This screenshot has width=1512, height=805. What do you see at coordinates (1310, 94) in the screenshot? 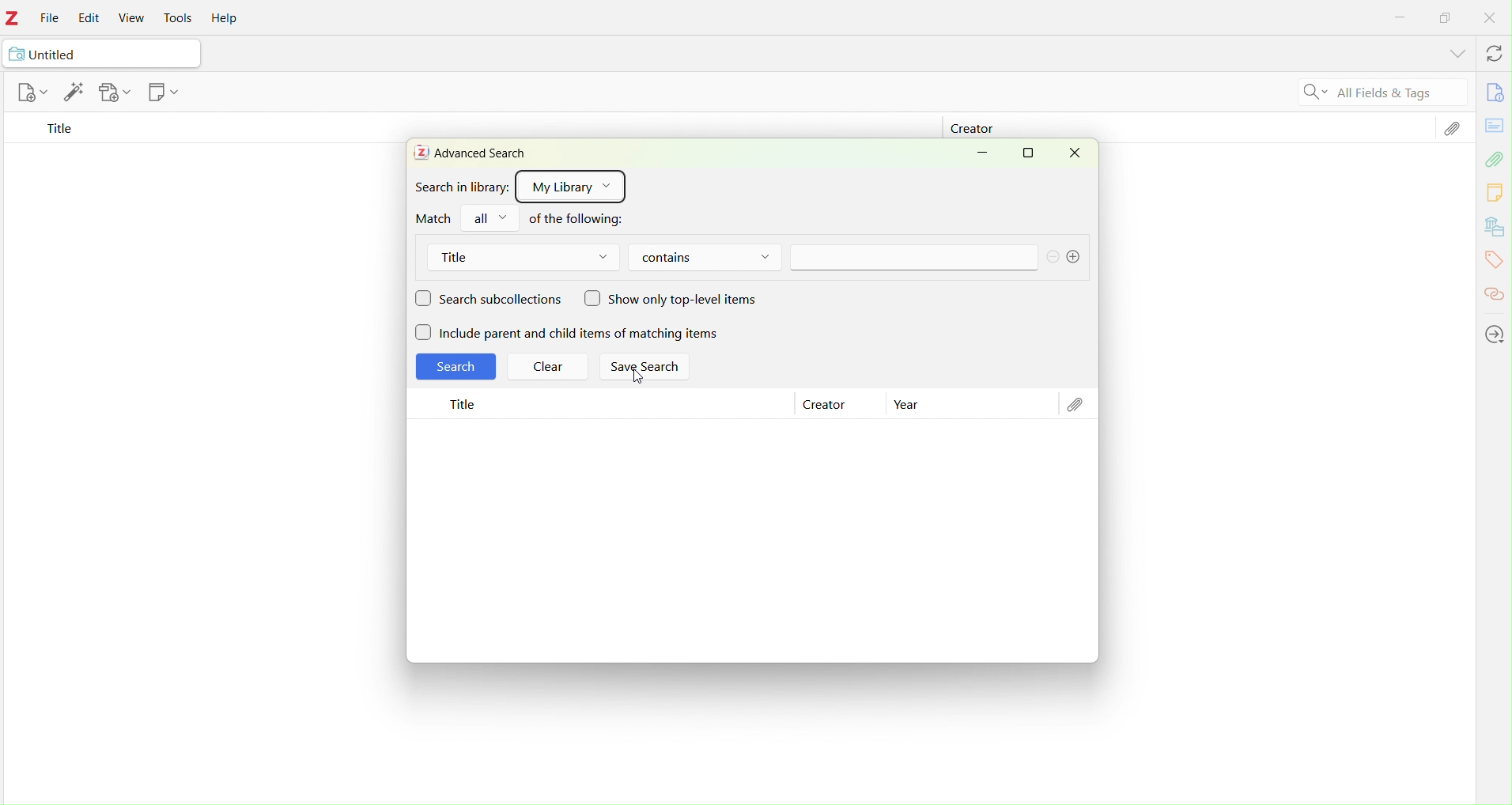
I see `Search` at bounding box center [1310, 94].